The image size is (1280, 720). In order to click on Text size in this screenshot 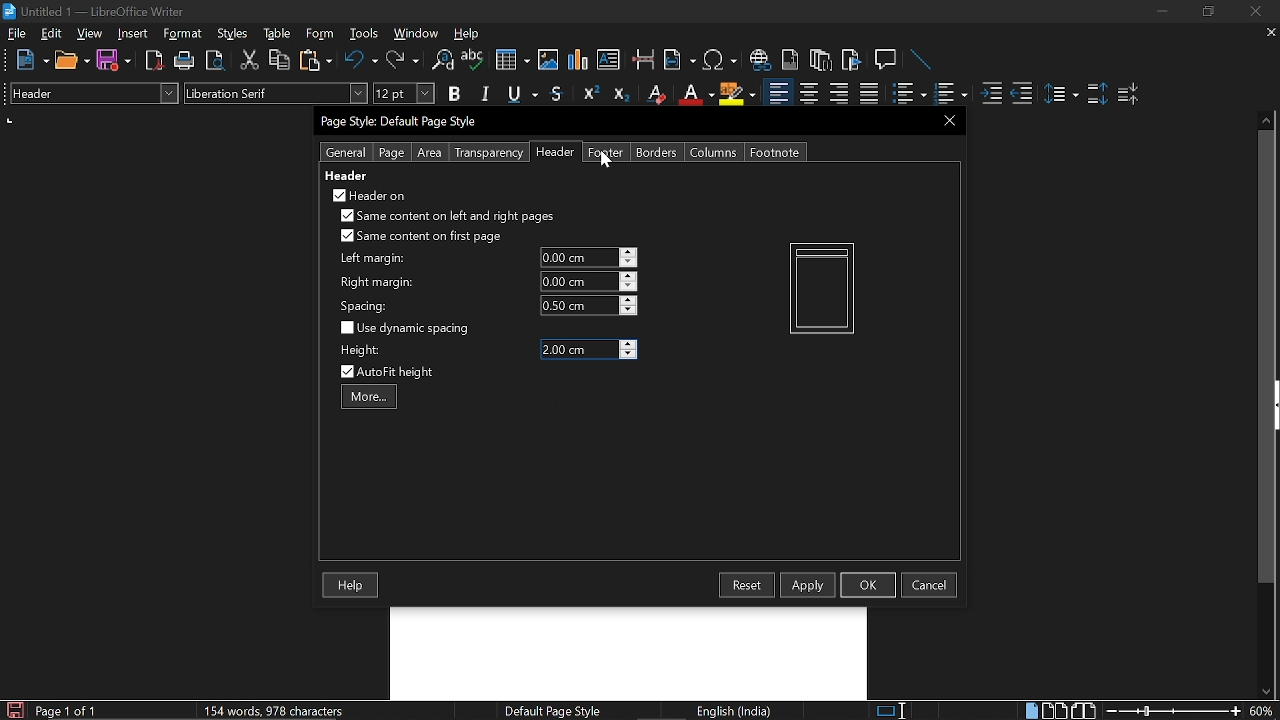, I will do `click(403, 93)`.